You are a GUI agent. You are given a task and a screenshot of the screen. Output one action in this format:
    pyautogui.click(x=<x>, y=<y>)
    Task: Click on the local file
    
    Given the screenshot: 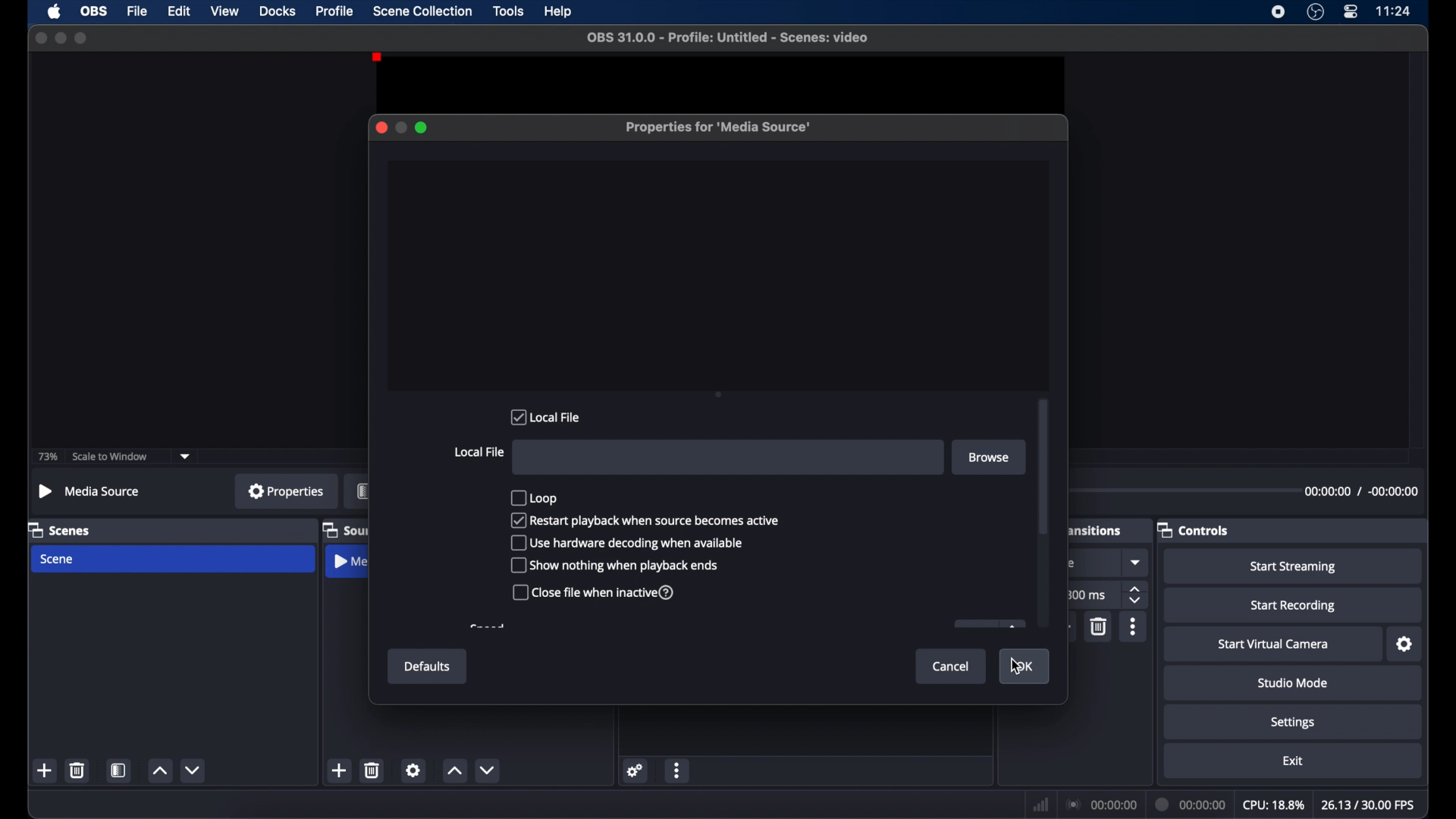 What is the action you would take?
    pyautogui.click(x=479, y=452)
    